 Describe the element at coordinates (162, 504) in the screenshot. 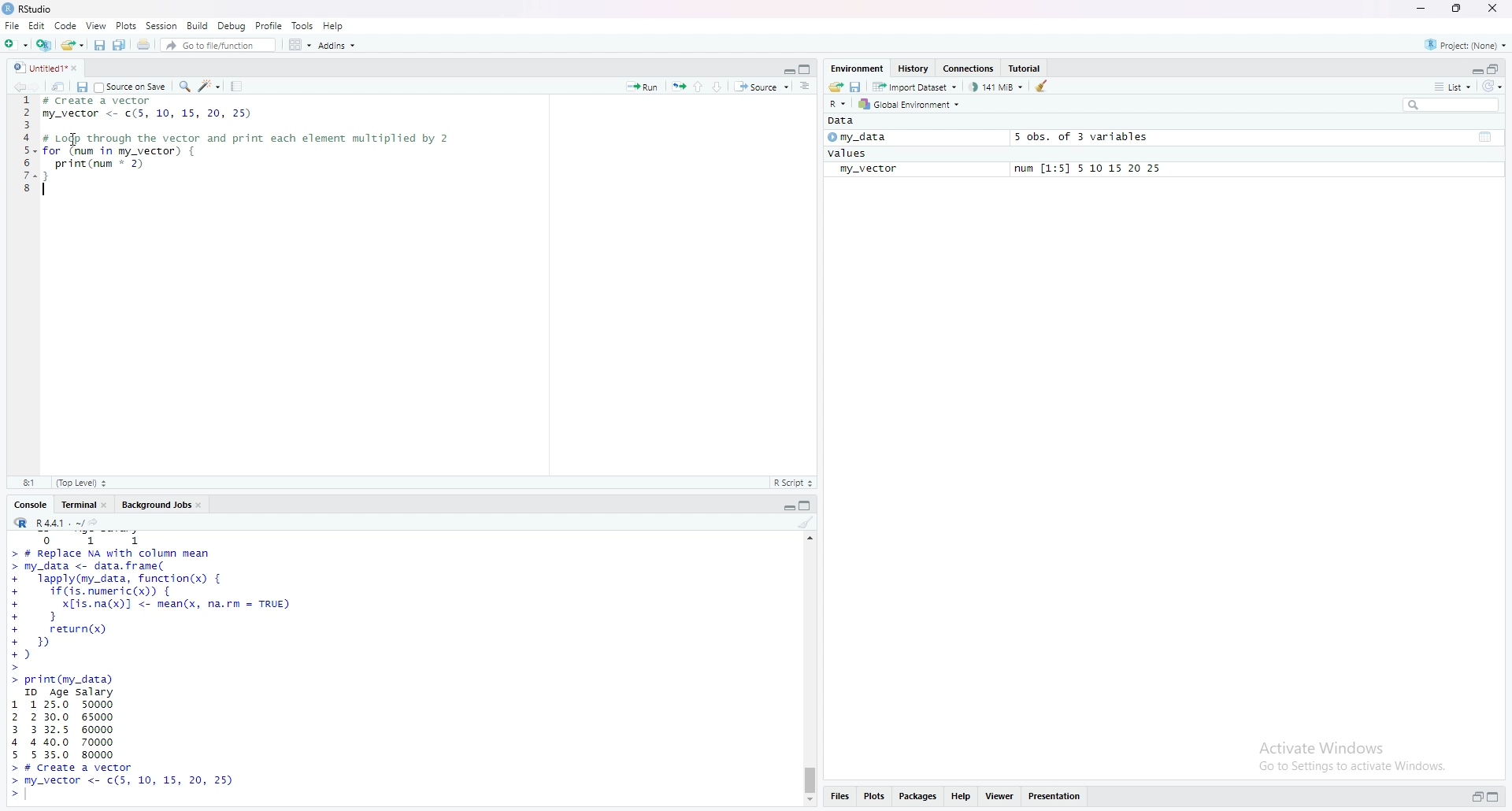

I see `Background jobs` at that location.